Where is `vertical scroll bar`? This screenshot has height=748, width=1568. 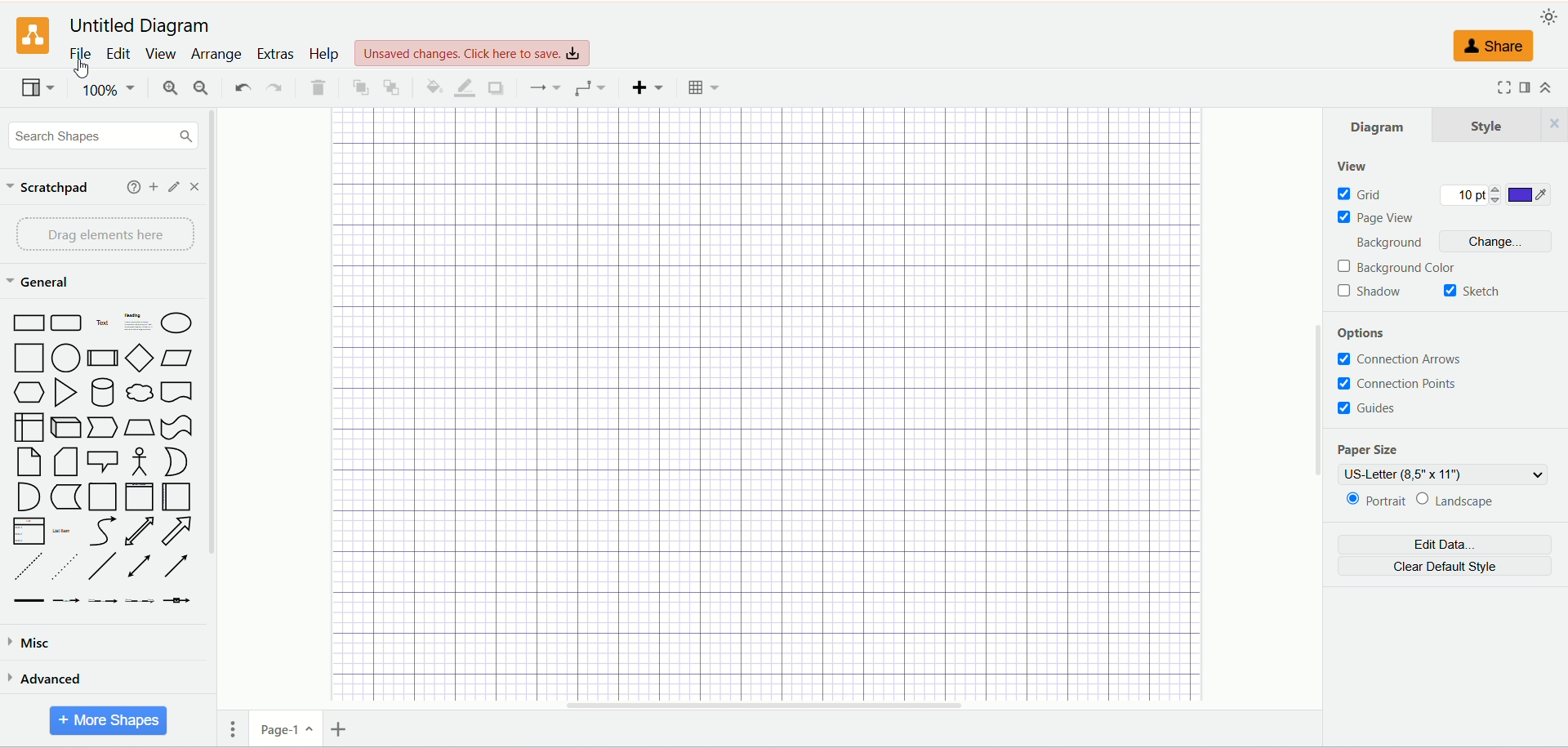
vertical scroll bar is located at coordinates (1317, 407).